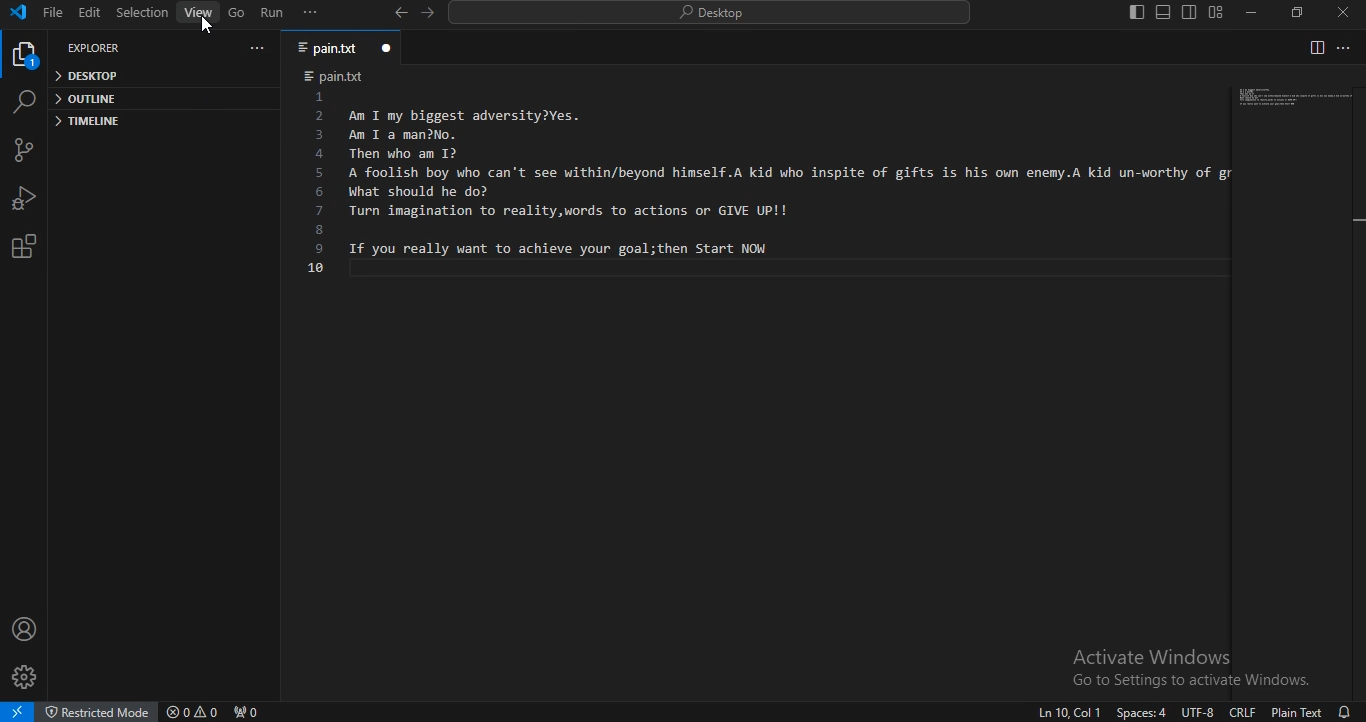  What do you see at coordinates (203, 27) in the screenshot?
I see `cursor` at bounding box center [203, 27].